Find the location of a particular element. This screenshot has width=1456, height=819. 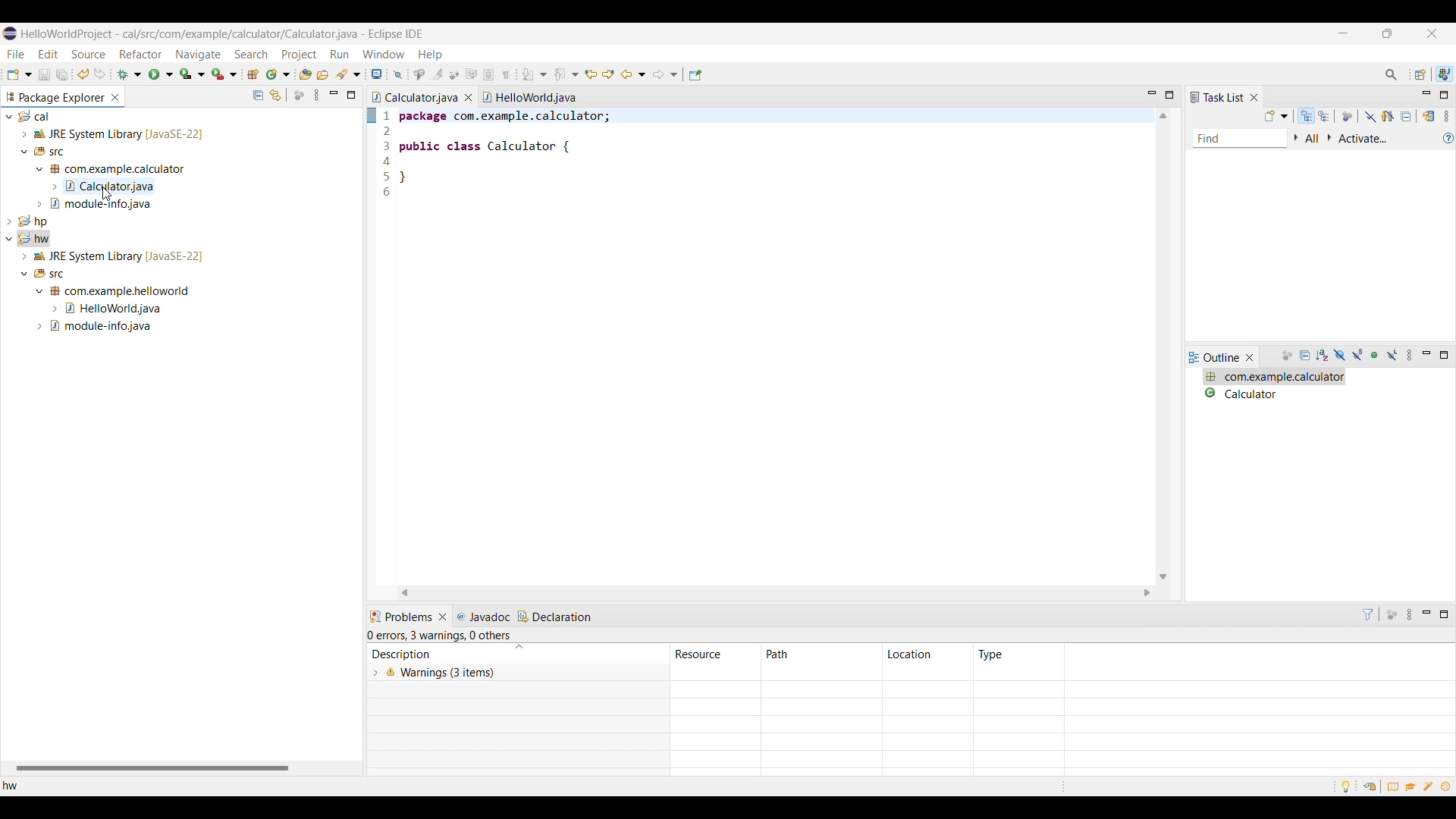

Package explorer is located at coordinates (55, 97).